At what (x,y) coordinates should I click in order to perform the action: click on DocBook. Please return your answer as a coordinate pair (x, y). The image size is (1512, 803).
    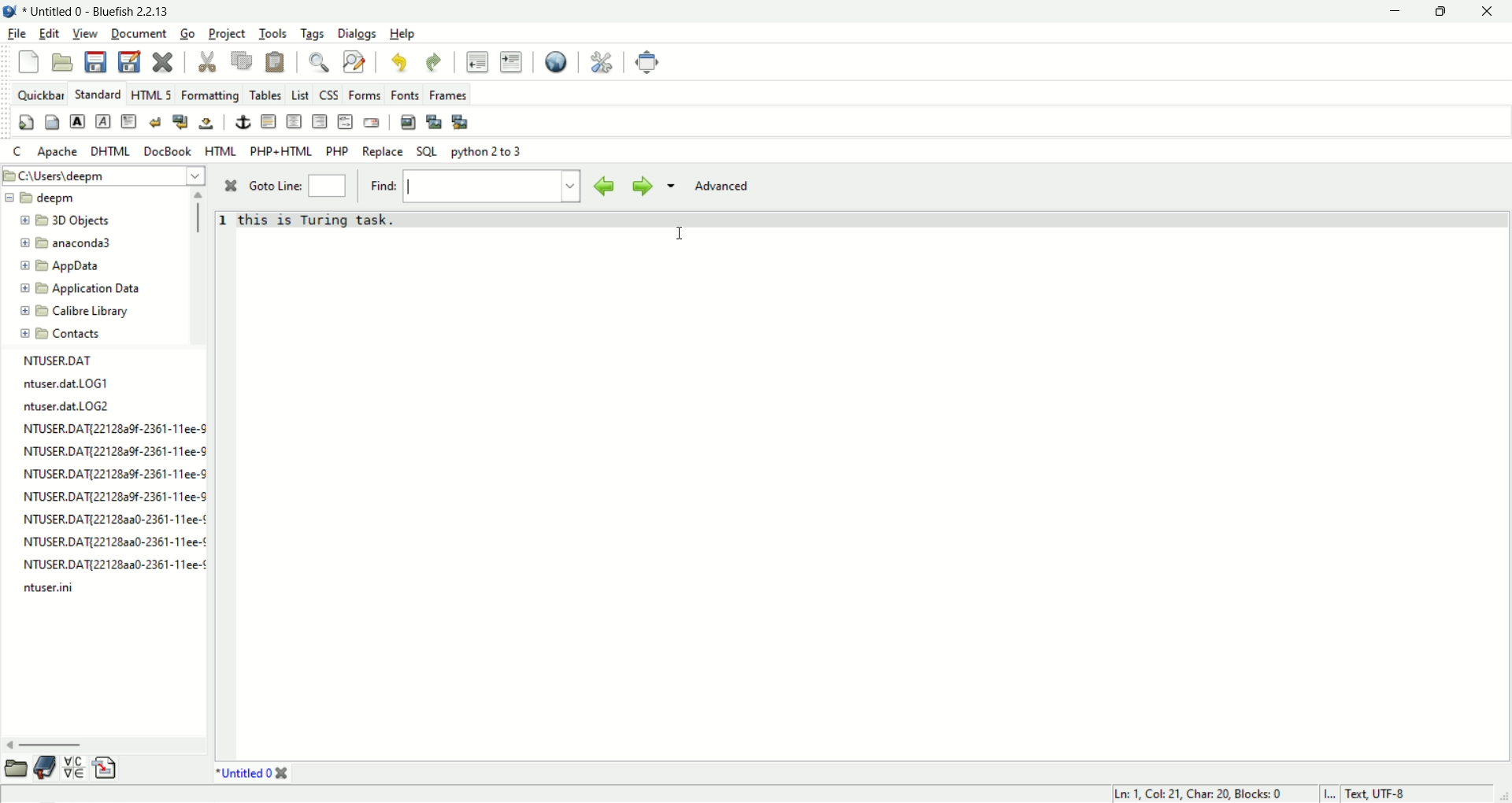
    Looking at the image, I should click on (167, 151).